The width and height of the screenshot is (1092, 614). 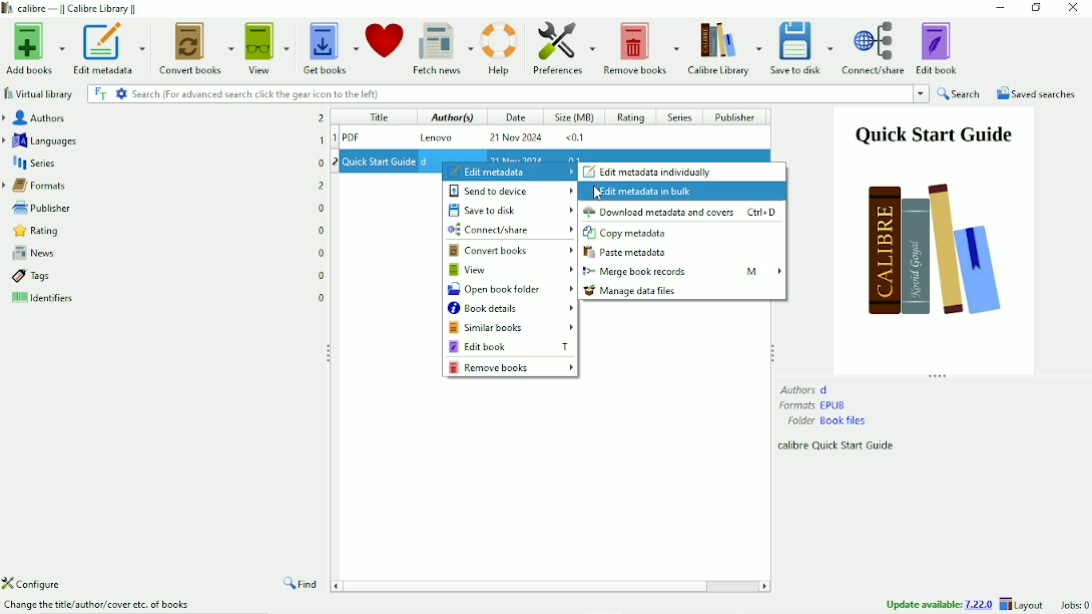 I want to click on Serial number, so click(x=333, y=144).